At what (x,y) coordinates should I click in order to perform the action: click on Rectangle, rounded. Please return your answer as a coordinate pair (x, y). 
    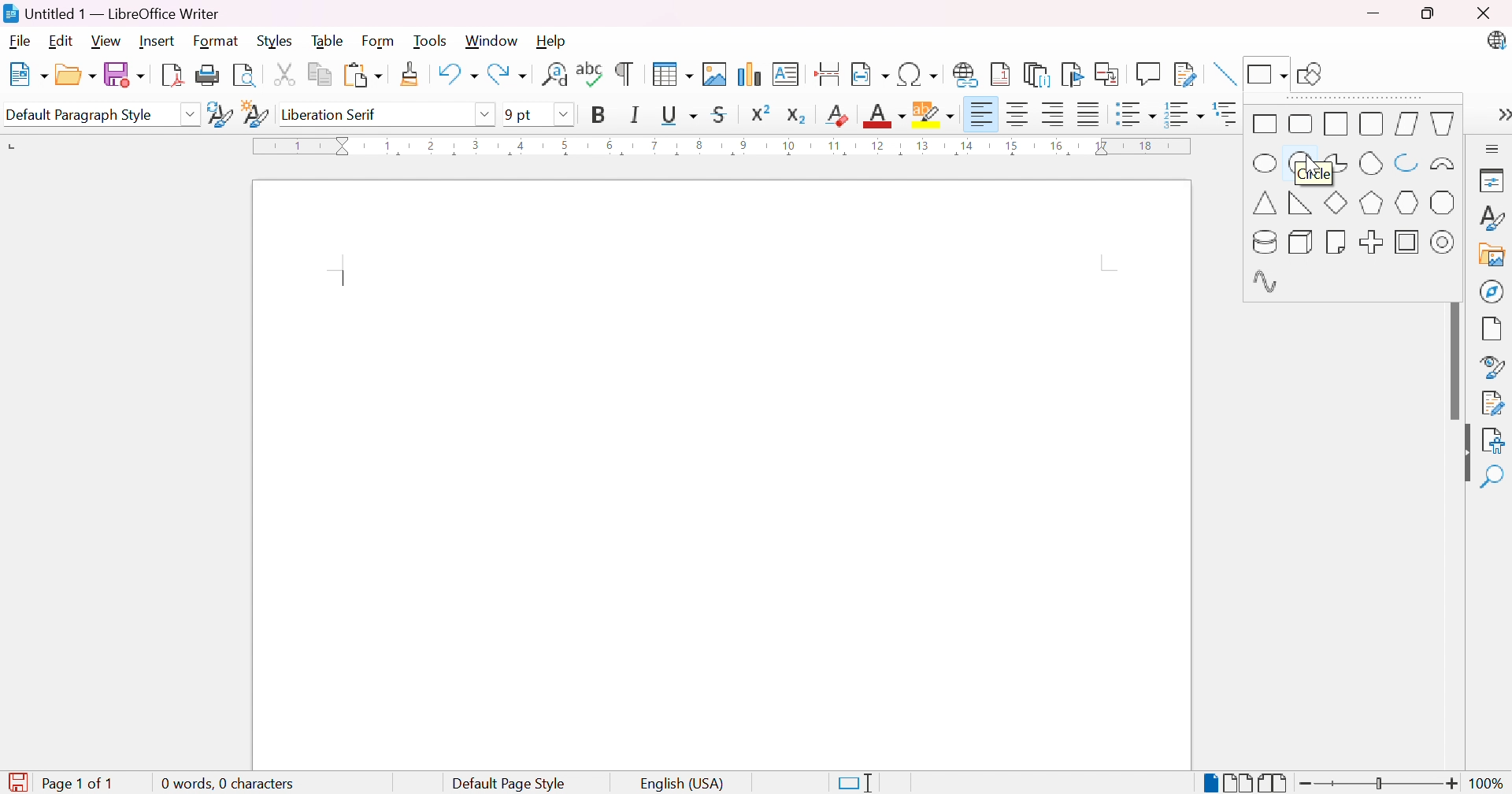
    Looking at the image, I should click on (1299, 124).